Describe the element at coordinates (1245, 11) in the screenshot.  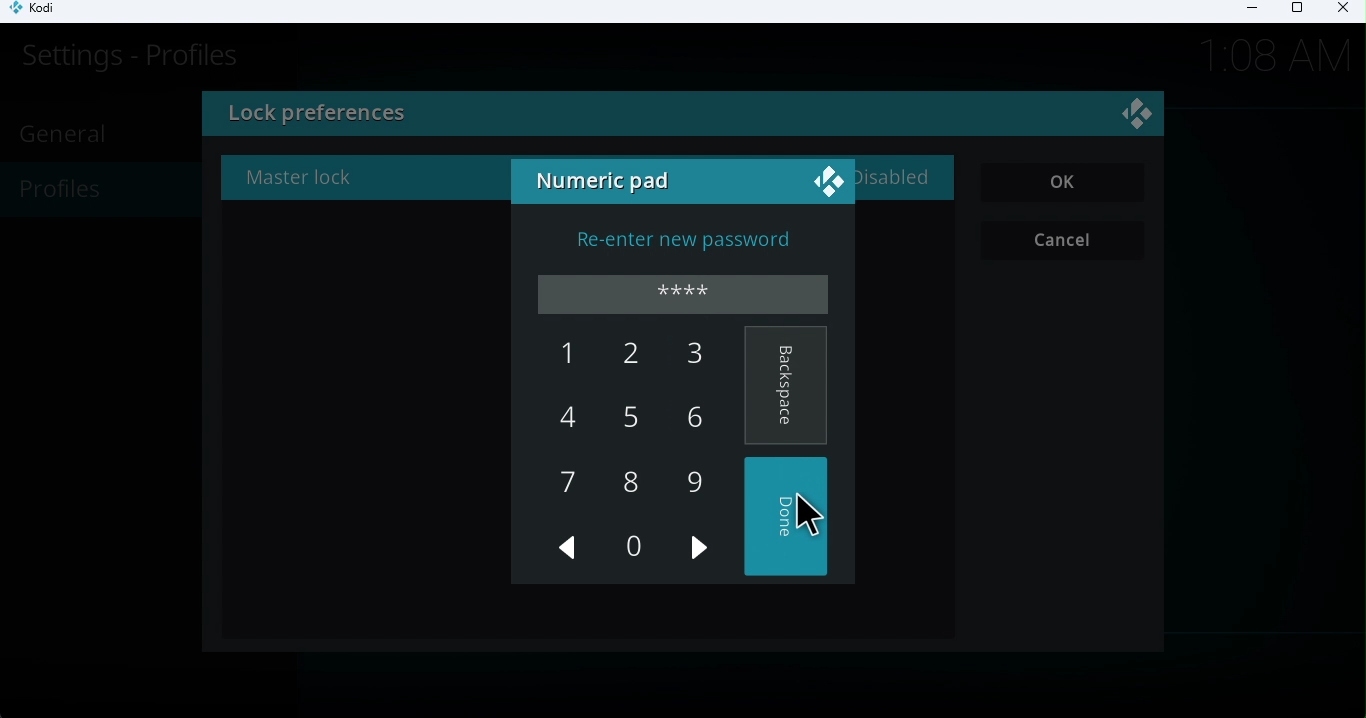
I see `Minimize` at that location.